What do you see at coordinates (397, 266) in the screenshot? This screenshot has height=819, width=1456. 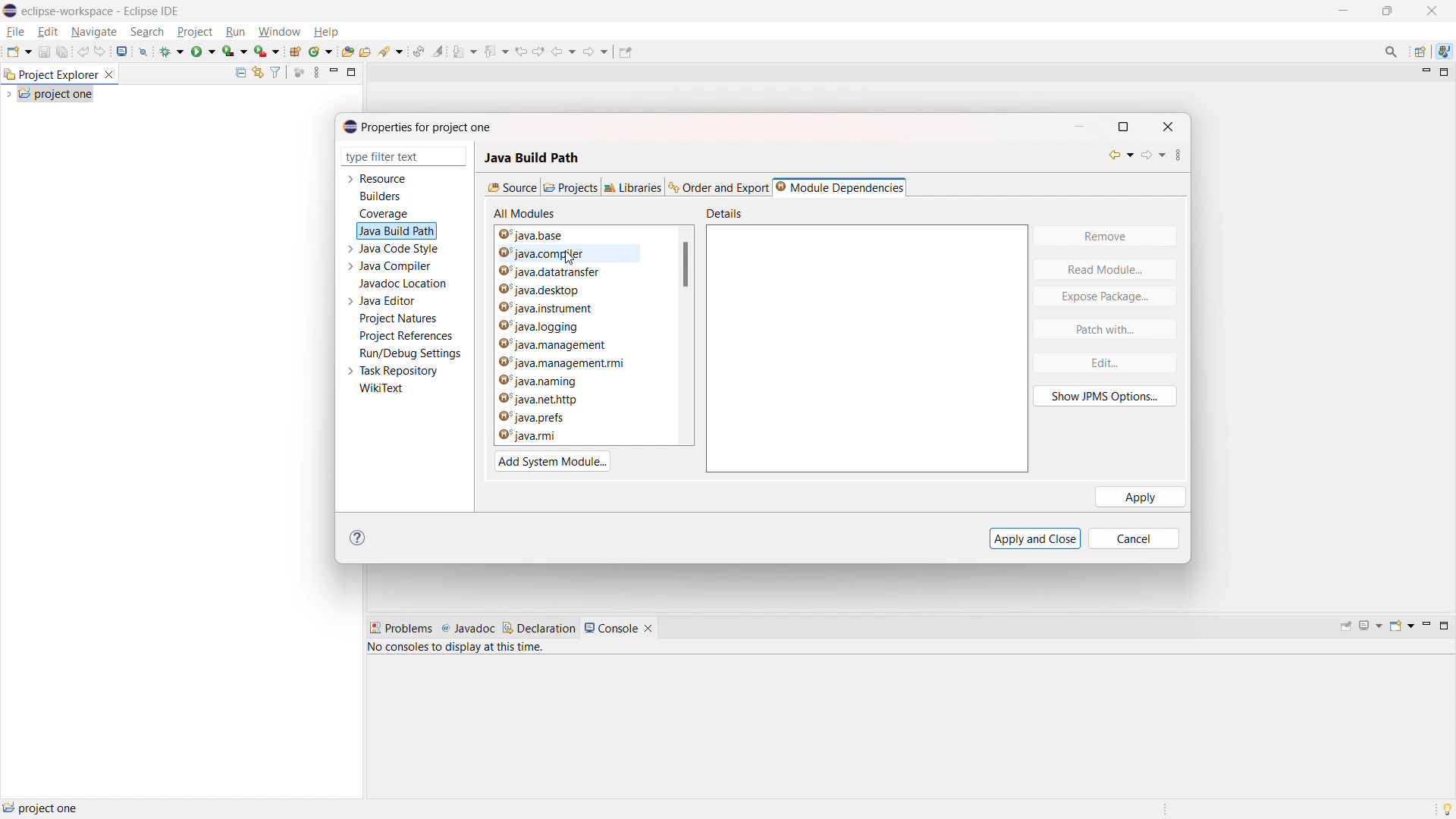 I see `java compiler` at bounding box center [397, 266].